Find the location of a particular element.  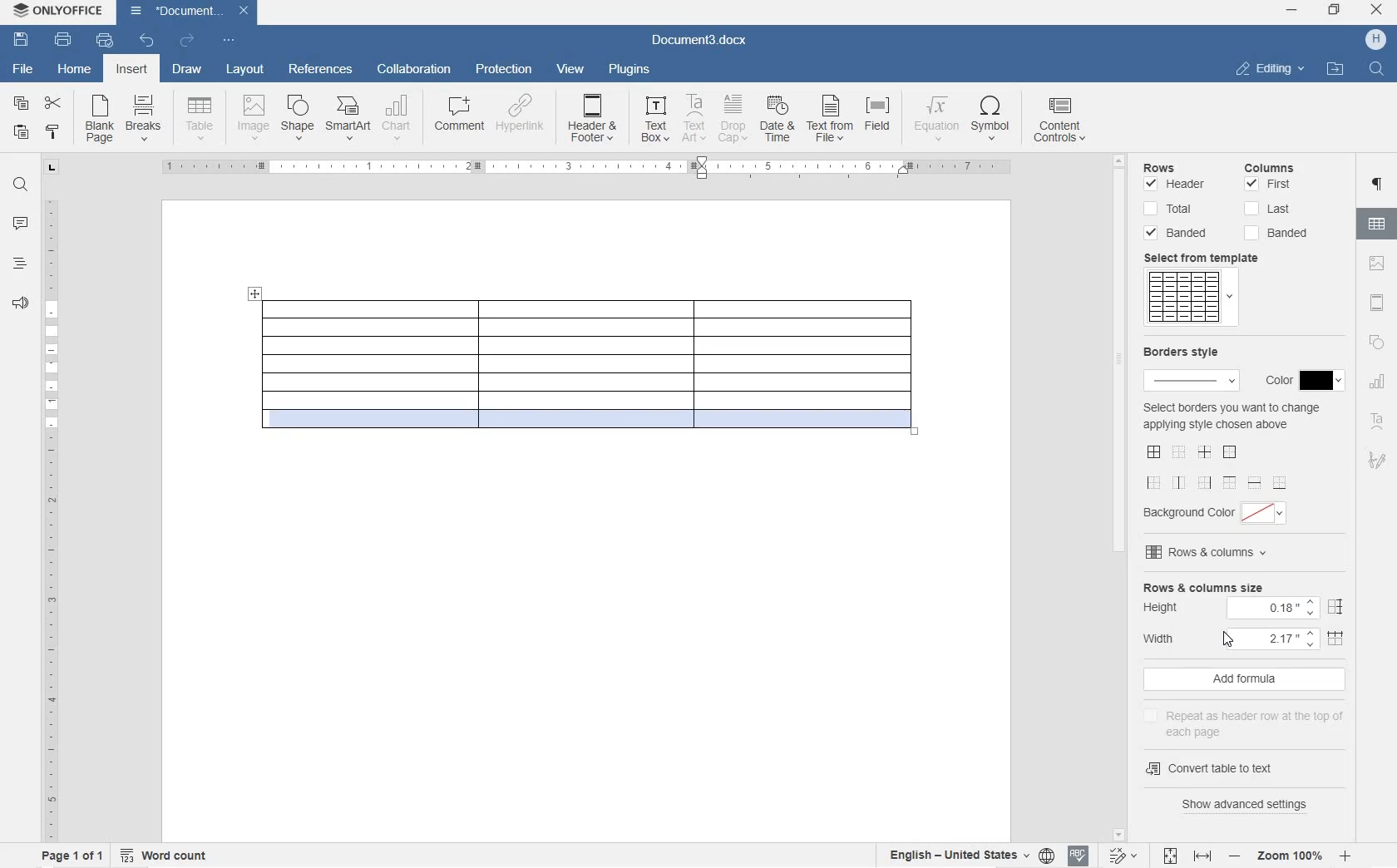

LAYOUT is located at coordinates (246, 71).